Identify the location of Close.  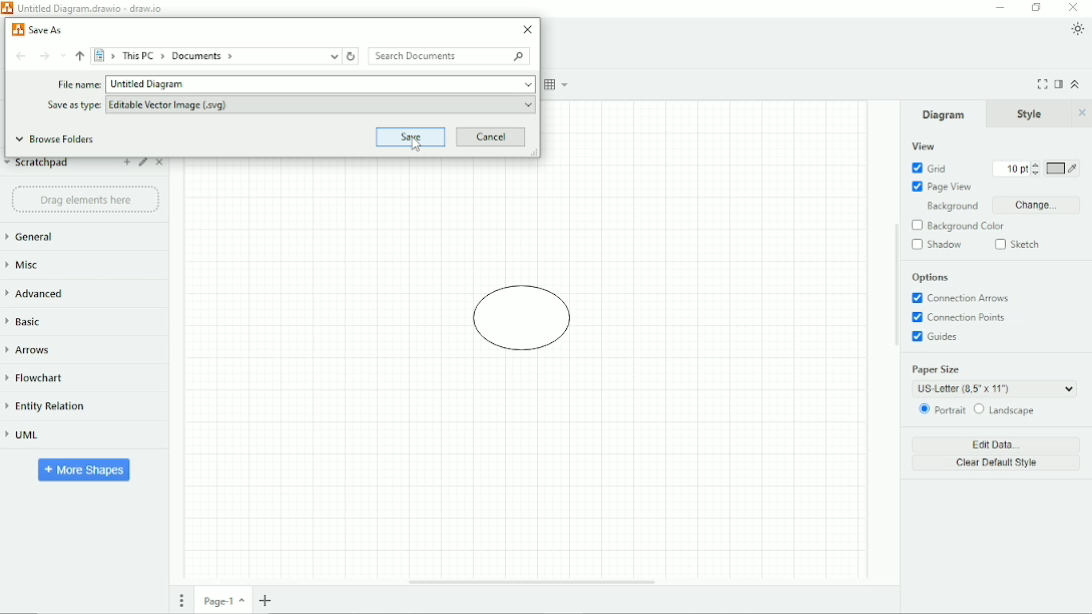
(1083, 113).